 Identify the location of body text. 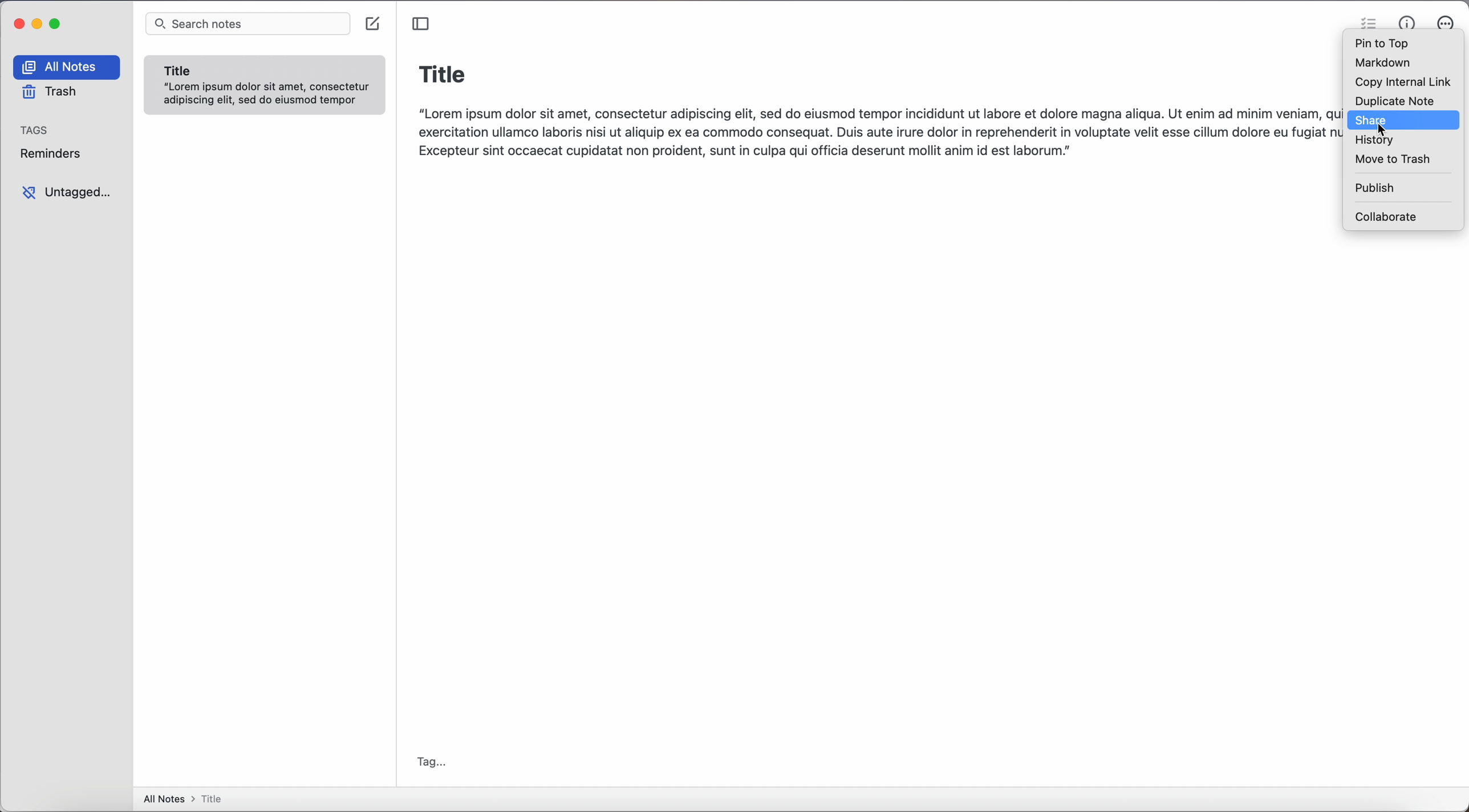
(876, 130).